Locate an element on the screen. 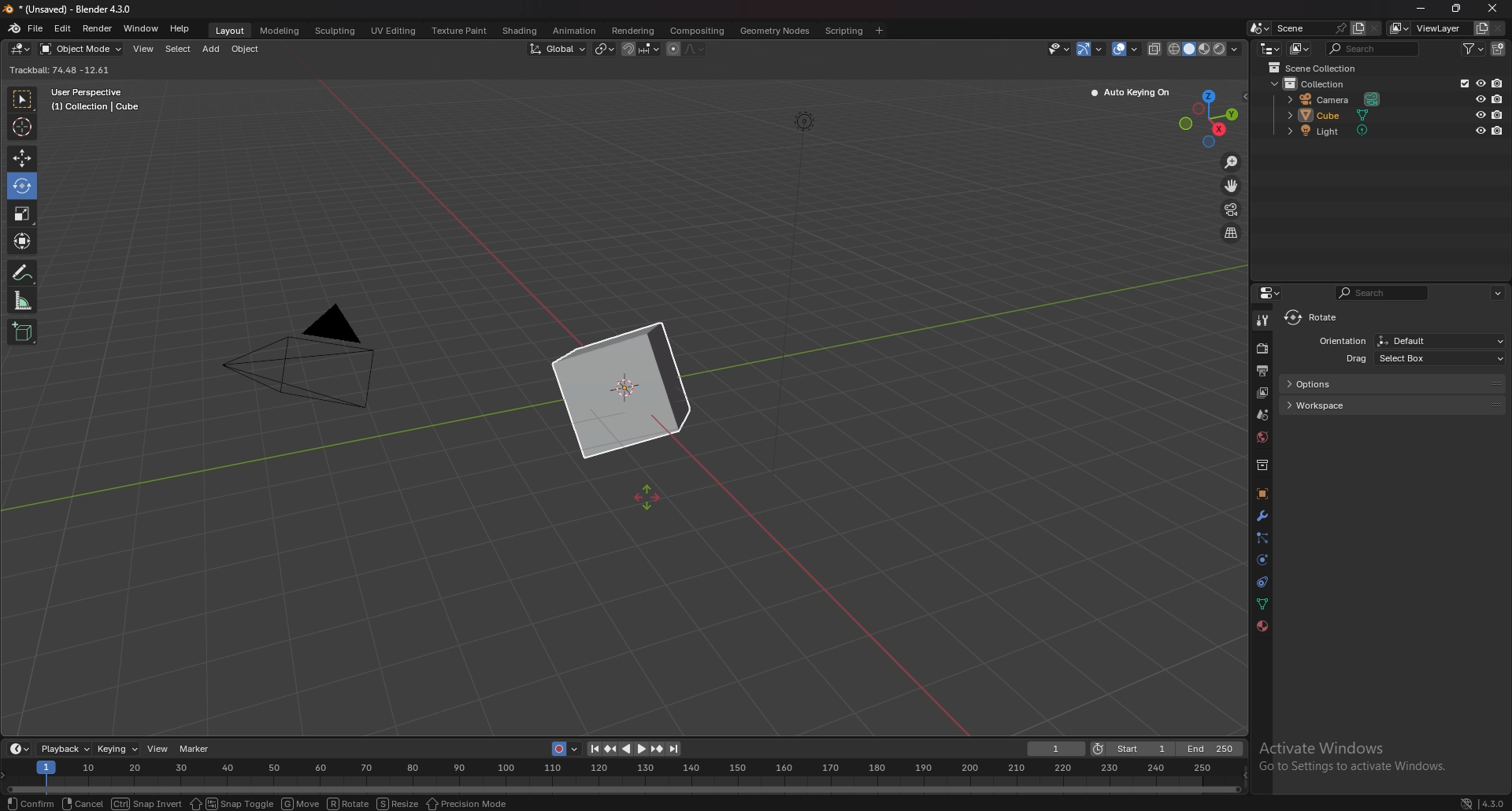  search is located at coordinates (1383, 292).